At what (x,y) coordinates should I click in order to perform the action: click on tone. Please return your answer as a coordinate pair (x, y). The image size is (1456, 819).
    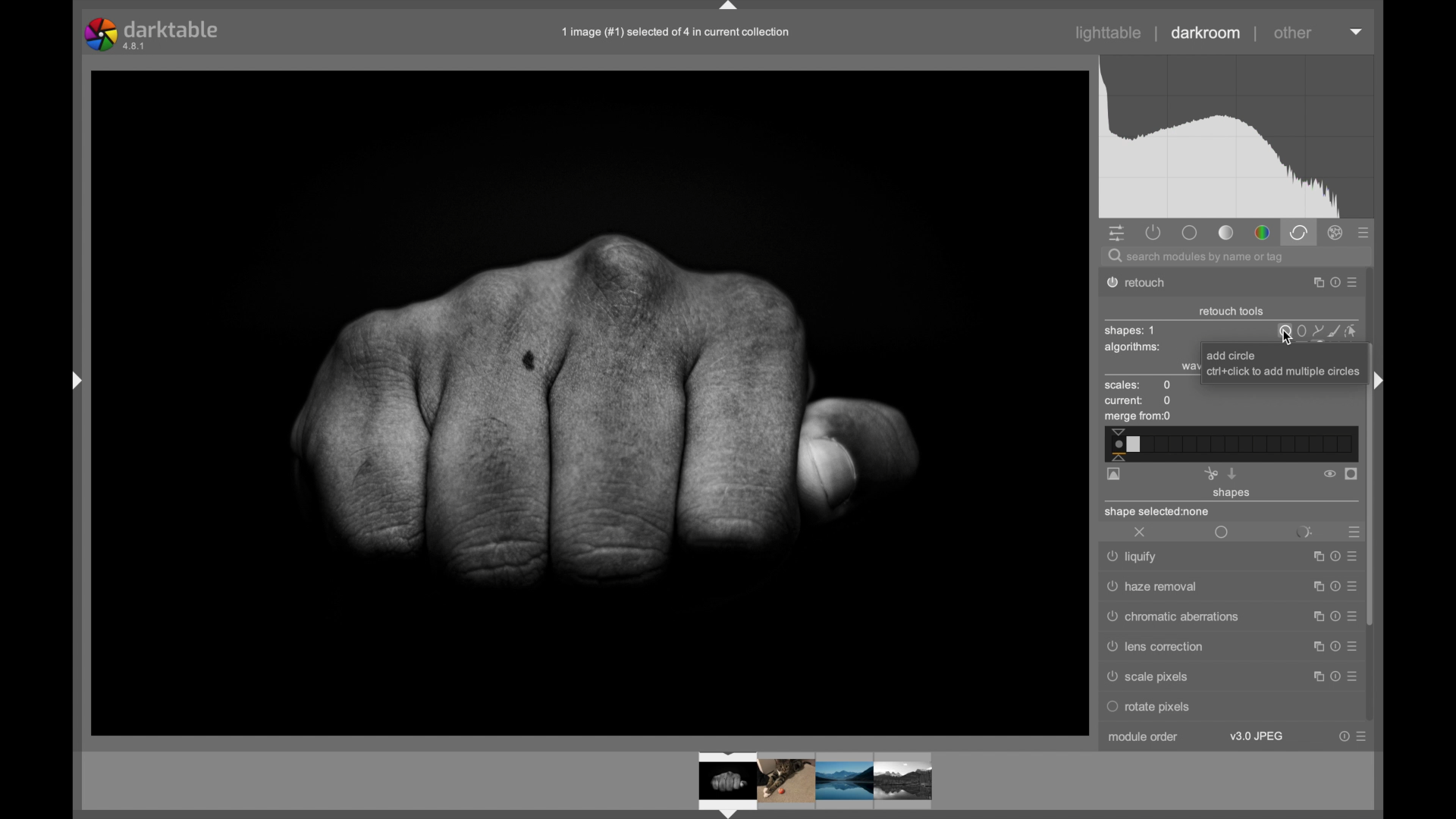
    Looking at the image, I should click on (1227, 233).